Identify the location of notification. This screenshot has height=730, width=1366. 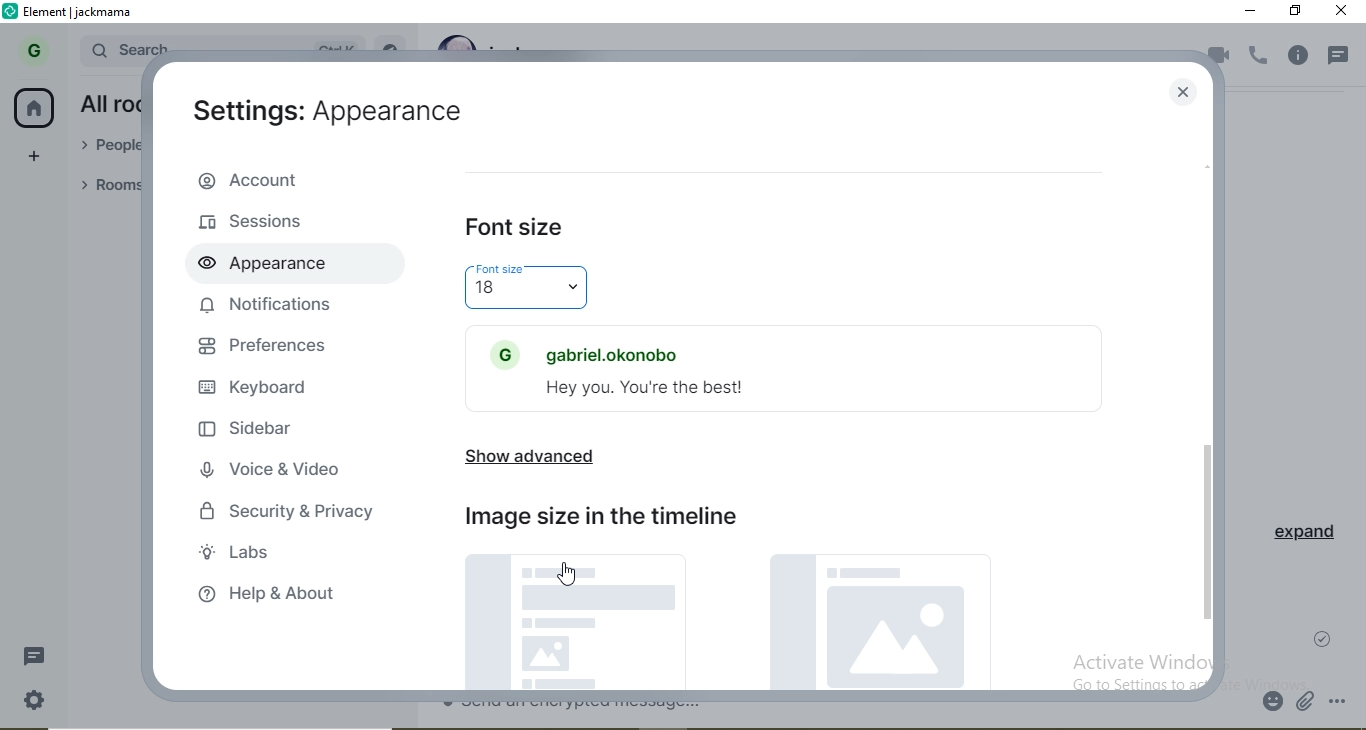
(1342, 51).